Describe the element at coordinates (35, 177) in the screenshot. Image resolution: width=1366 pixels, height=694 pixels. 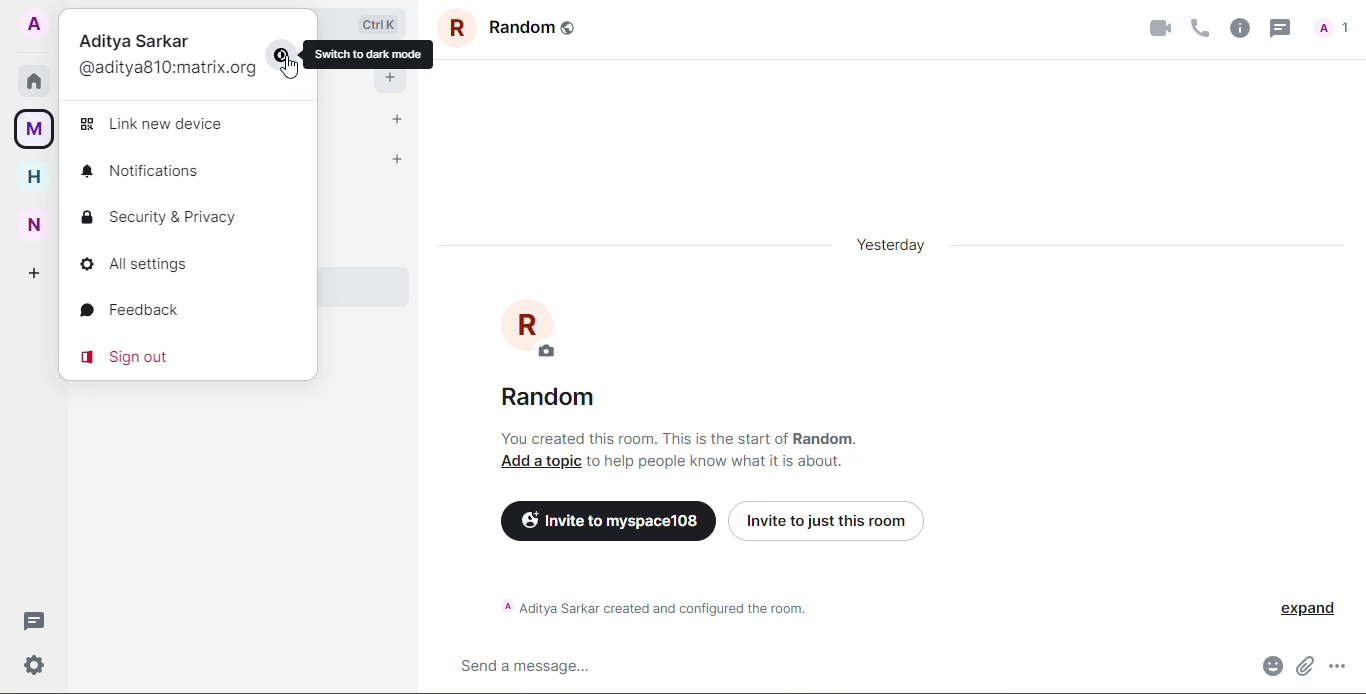
I see `home` at that location.